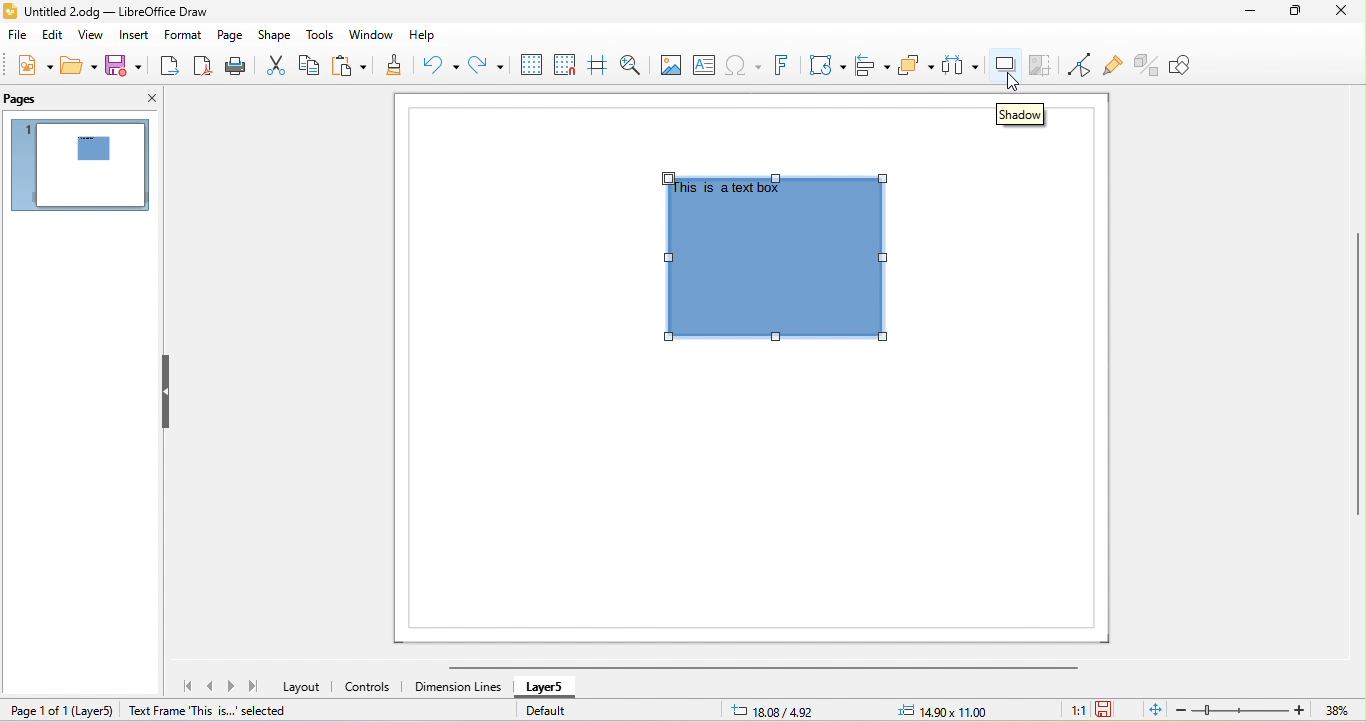 The image size is (1366, 722). What do you see at coordinates (914, 65) in the screenshot?
I see `arrange` at bounding box center [914, 65].